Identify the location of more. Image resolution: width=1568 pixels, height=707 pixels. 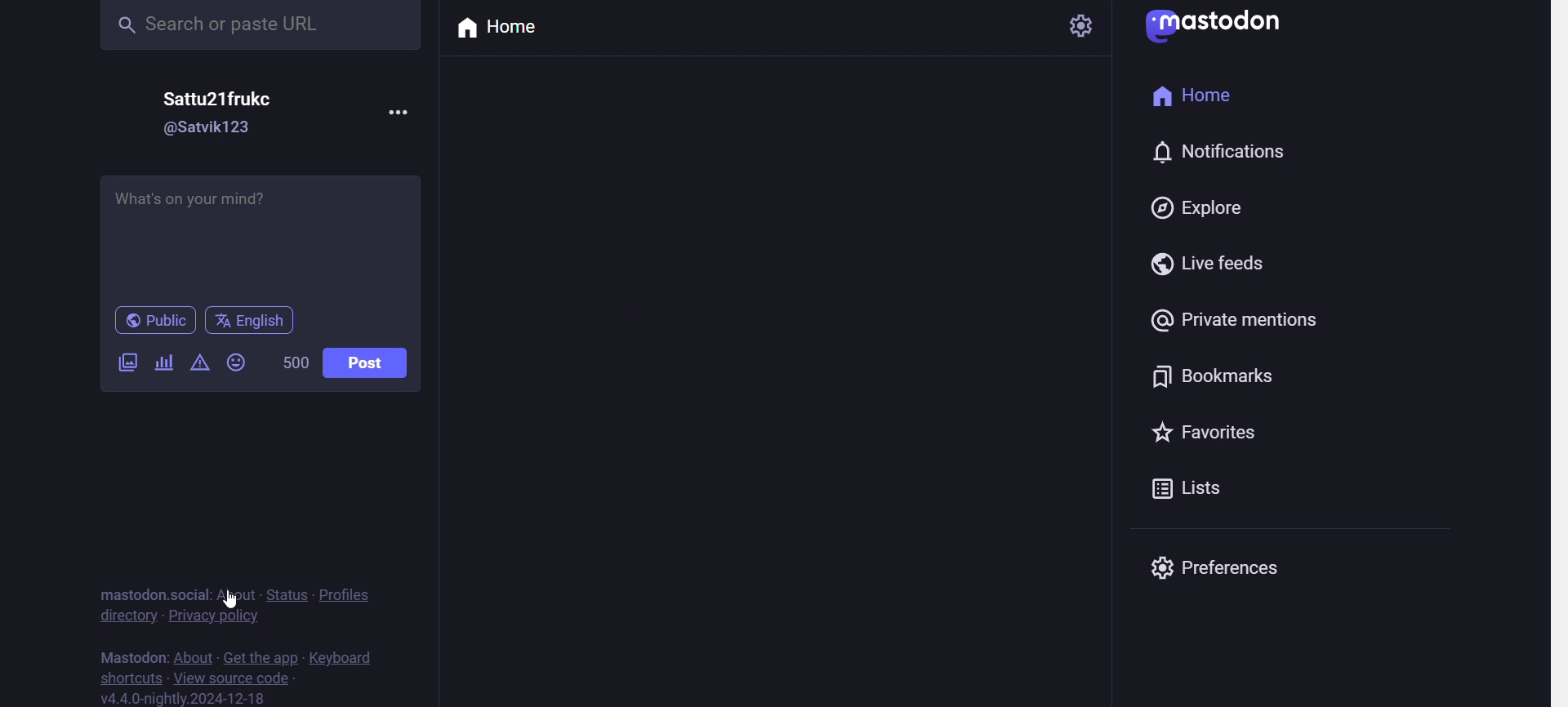
(400, 112).